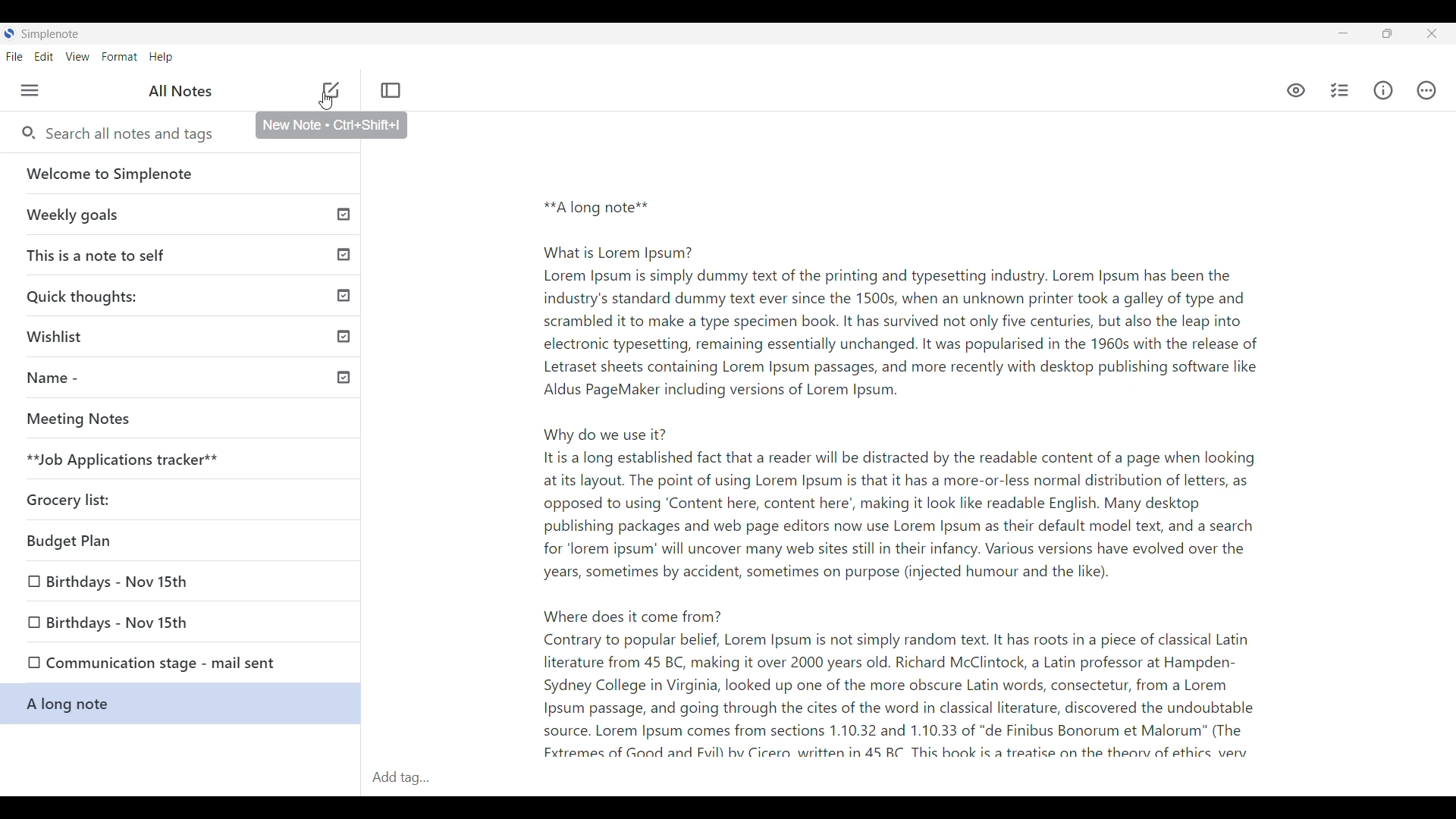 The width and height of the screenshot is (1456, 819). Describe the element at coordinates (162, 58) in the screenshot. I see `Help` at that location.